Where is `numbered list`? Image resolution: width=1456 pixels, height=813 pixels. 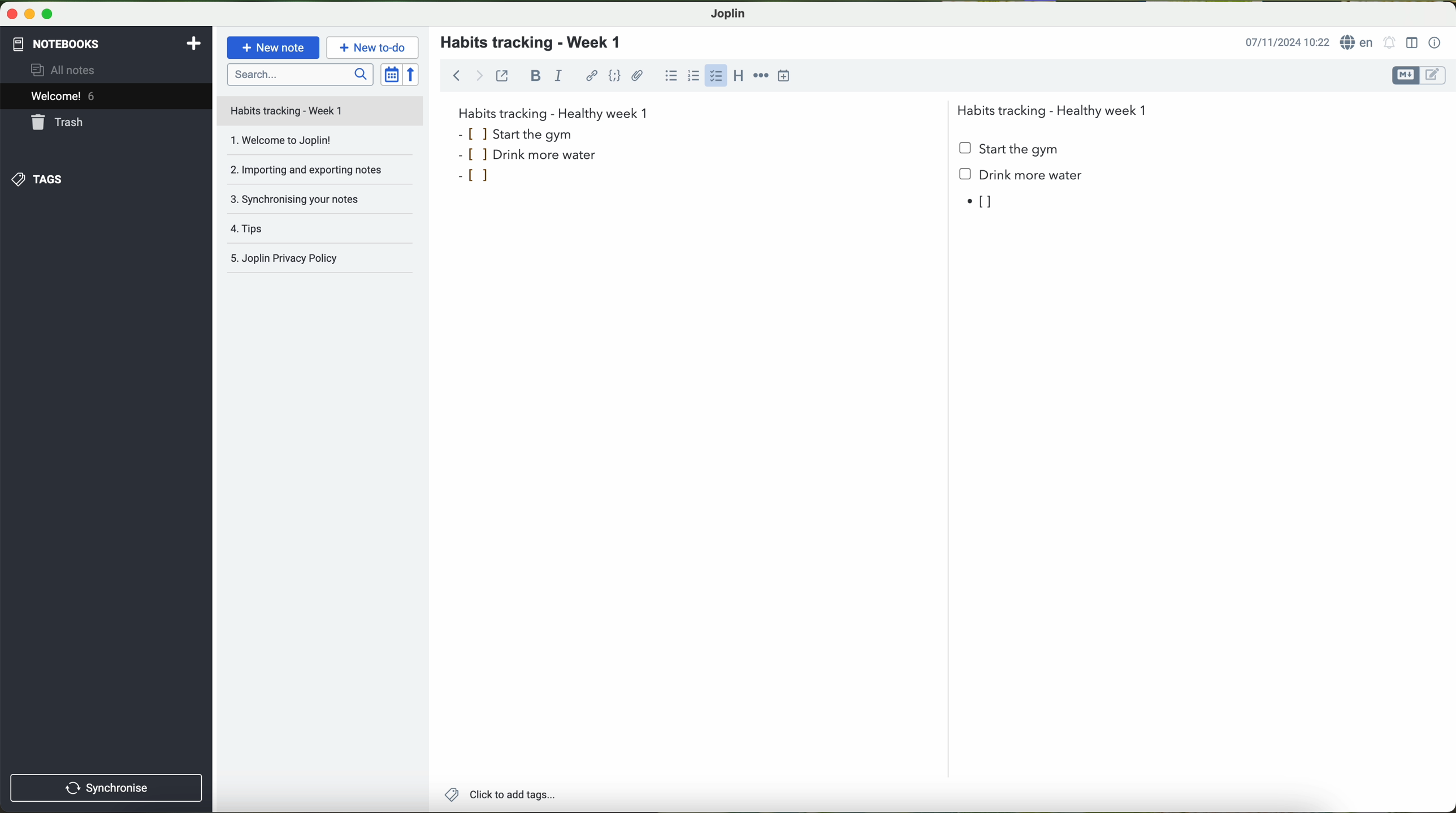
numbered list is located at coordinates (695, 75).